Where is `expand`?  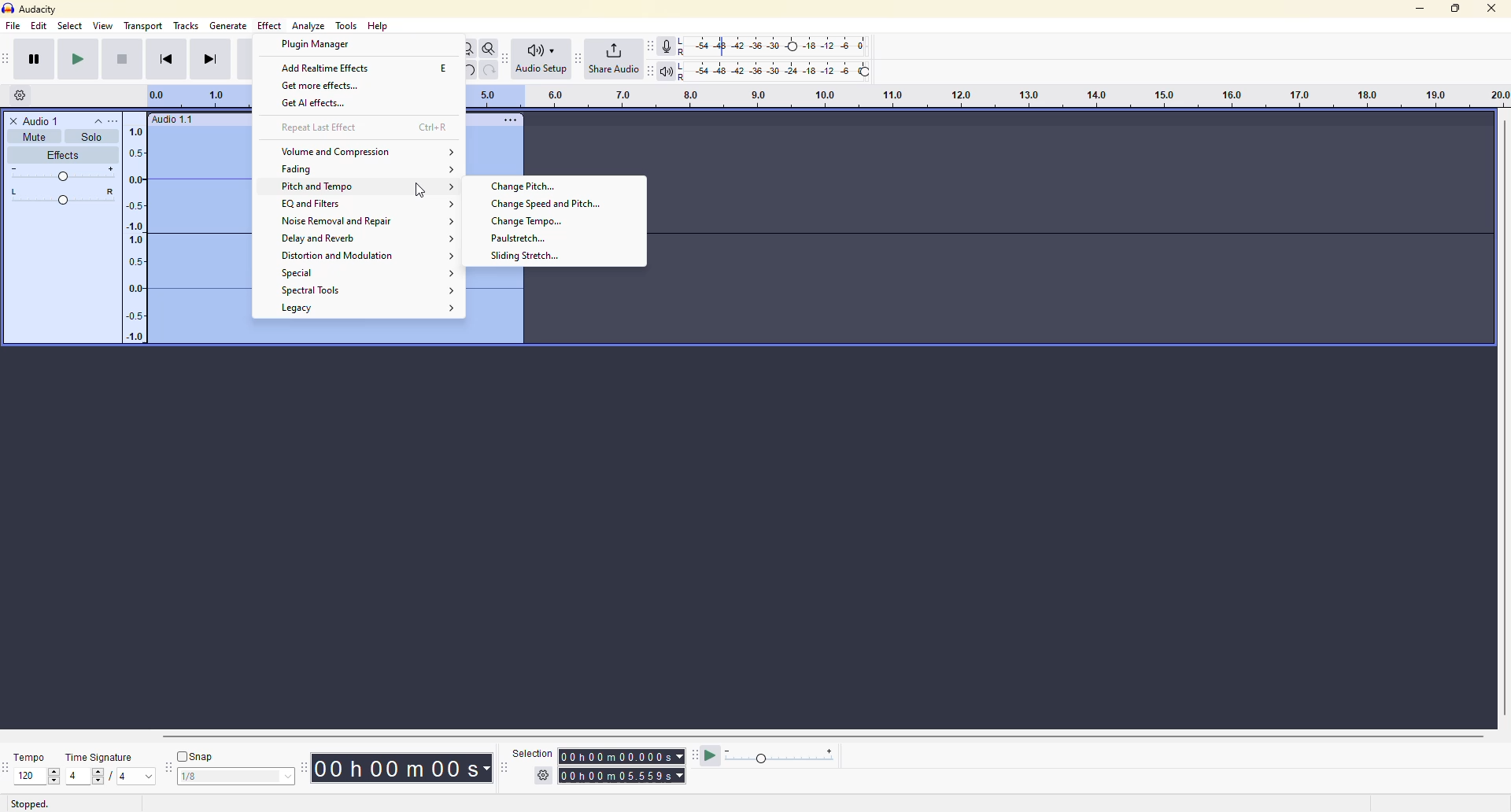 expand is located at coordinates (451, 239).